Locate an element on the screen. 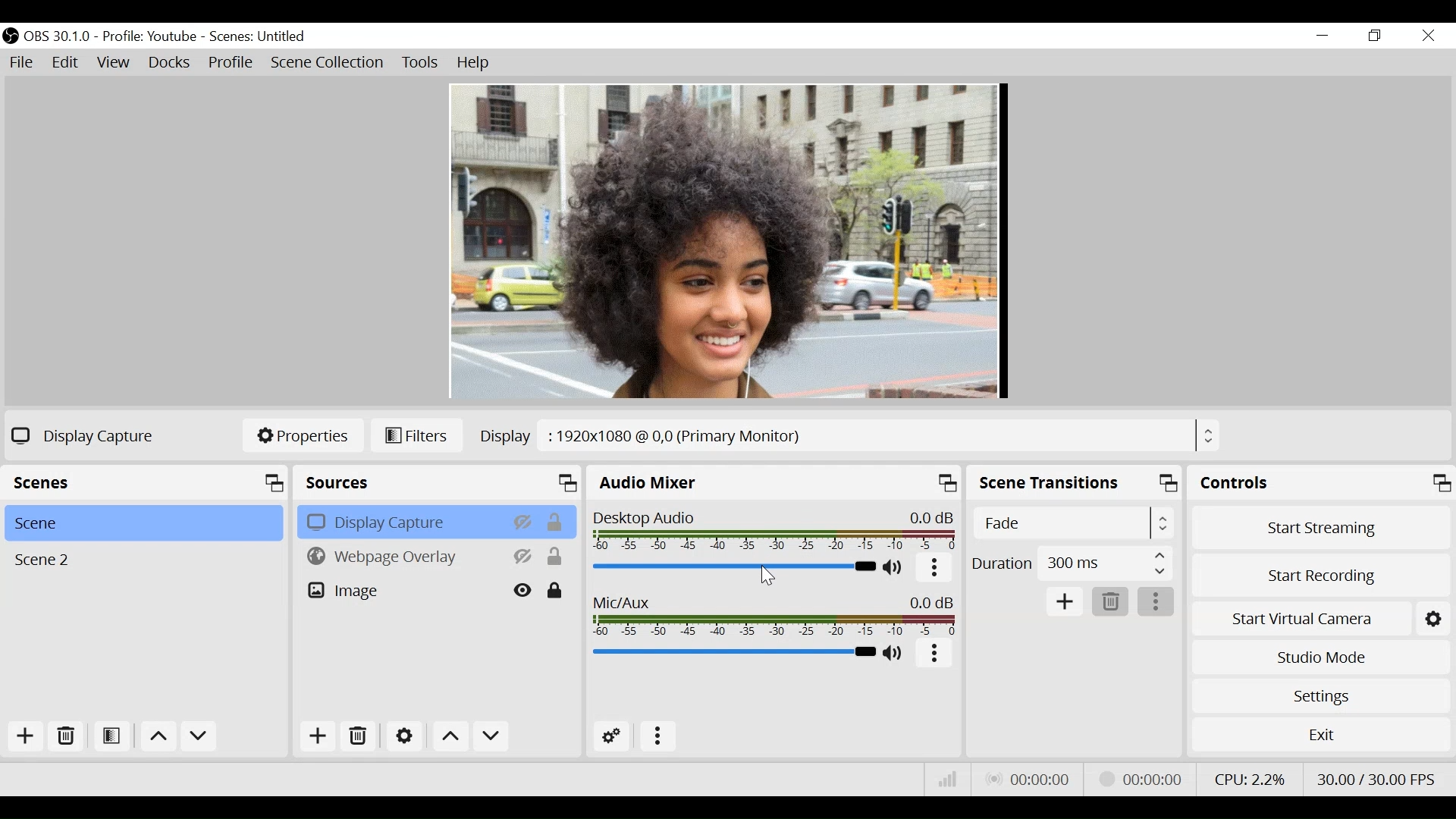 The width and height of the screenshot is (1456, 819). Studio Mode is located at coordinates (1320, 655).